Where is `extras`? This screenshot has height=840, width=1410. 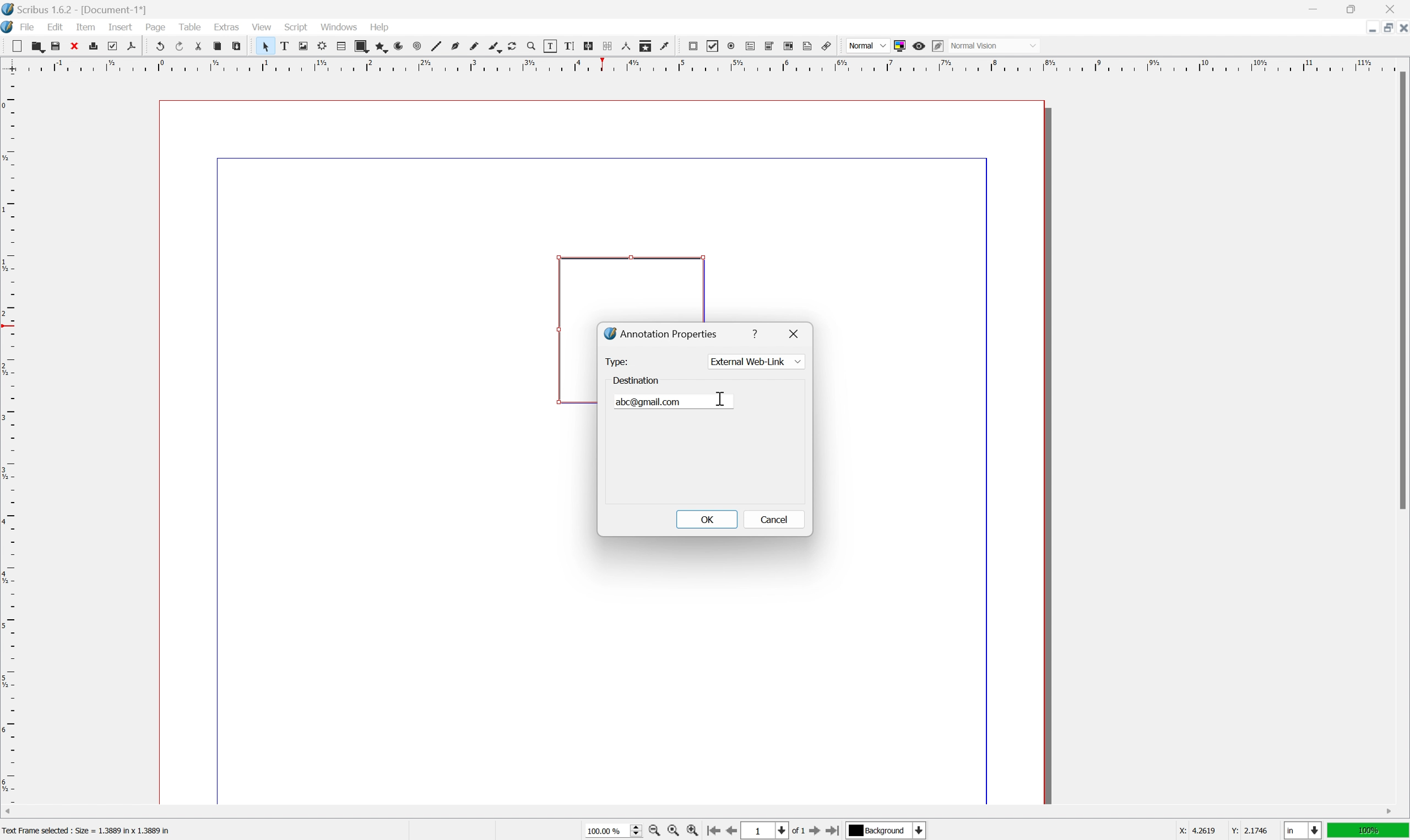 extras is located at coordinates (227, 26).